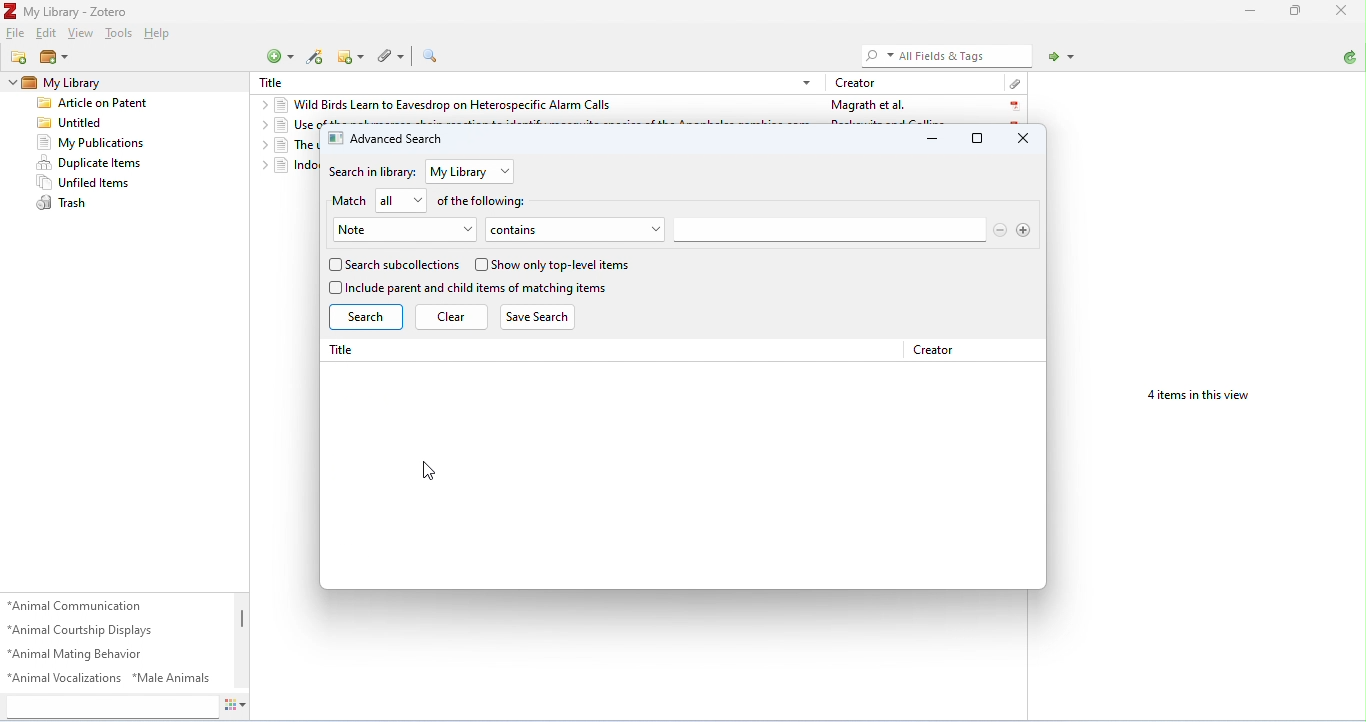  Describe the element at coordinates (16, 32) in the screenshot. I see `file` at that location.